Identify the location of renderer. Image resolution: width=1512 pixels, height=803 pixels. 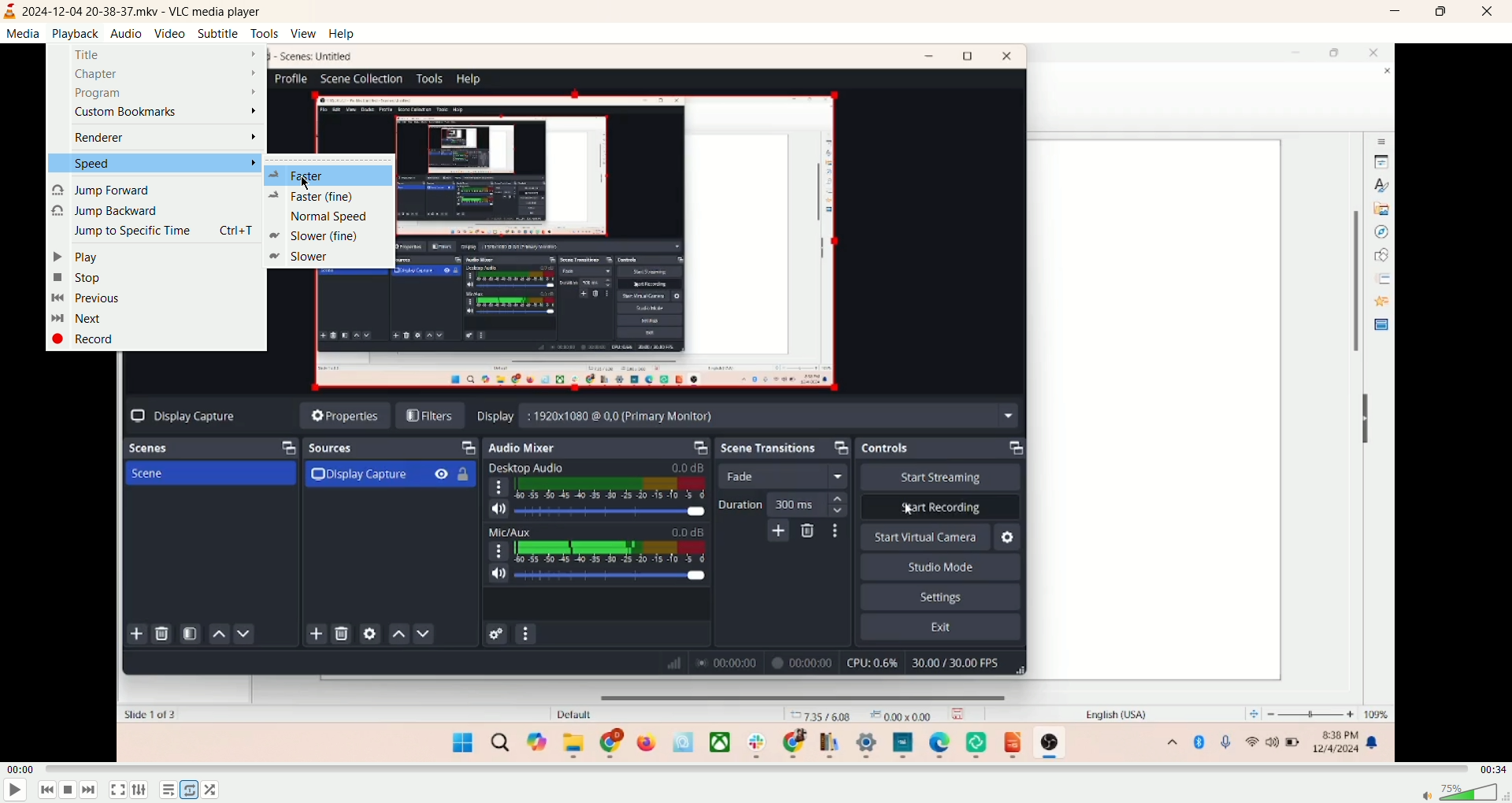
(167, 139).